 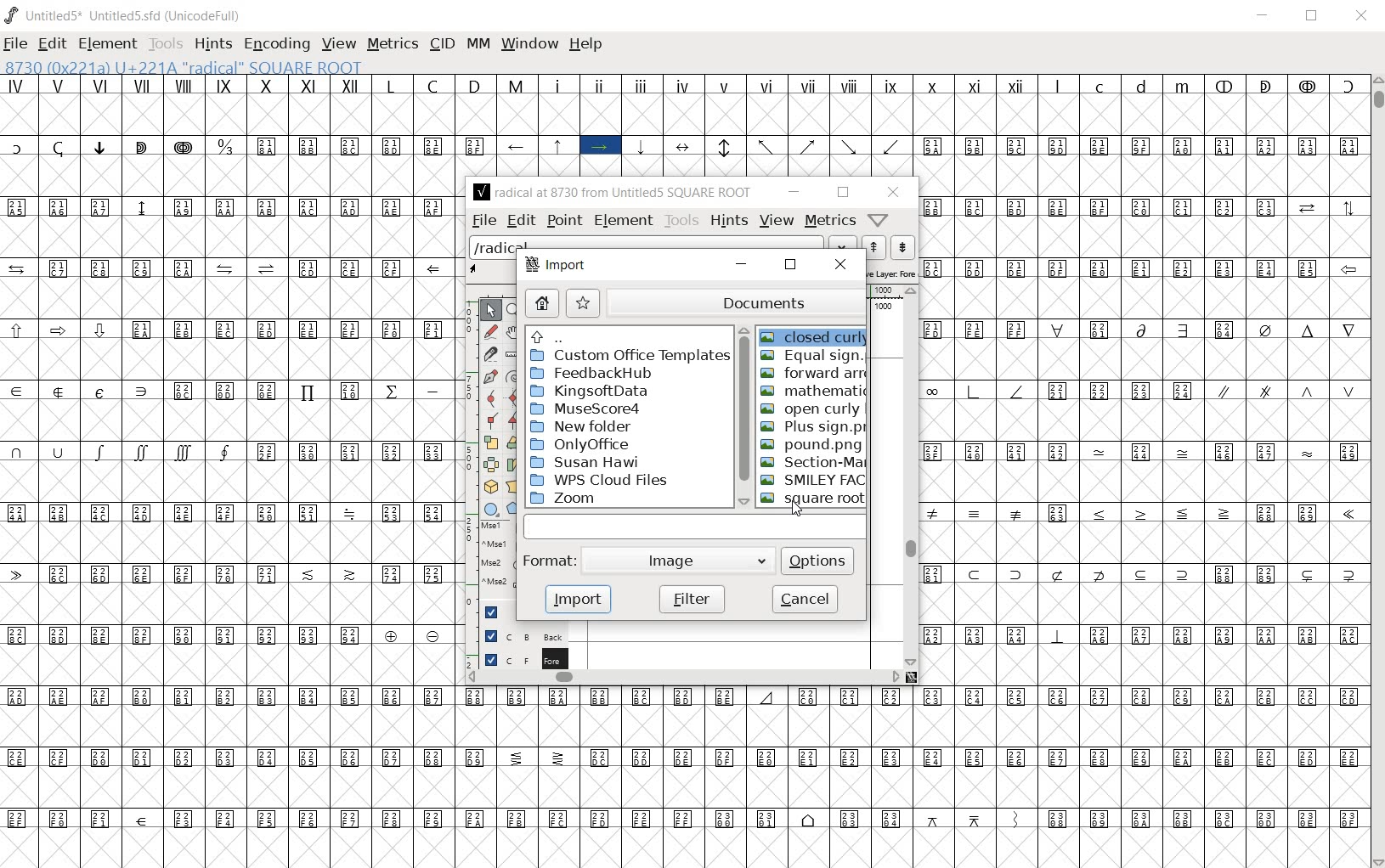 What do you see at coordinates (515, 376) in the screenshot?
I see `change whether spiro is active or not` at bounding box center [515, 376].